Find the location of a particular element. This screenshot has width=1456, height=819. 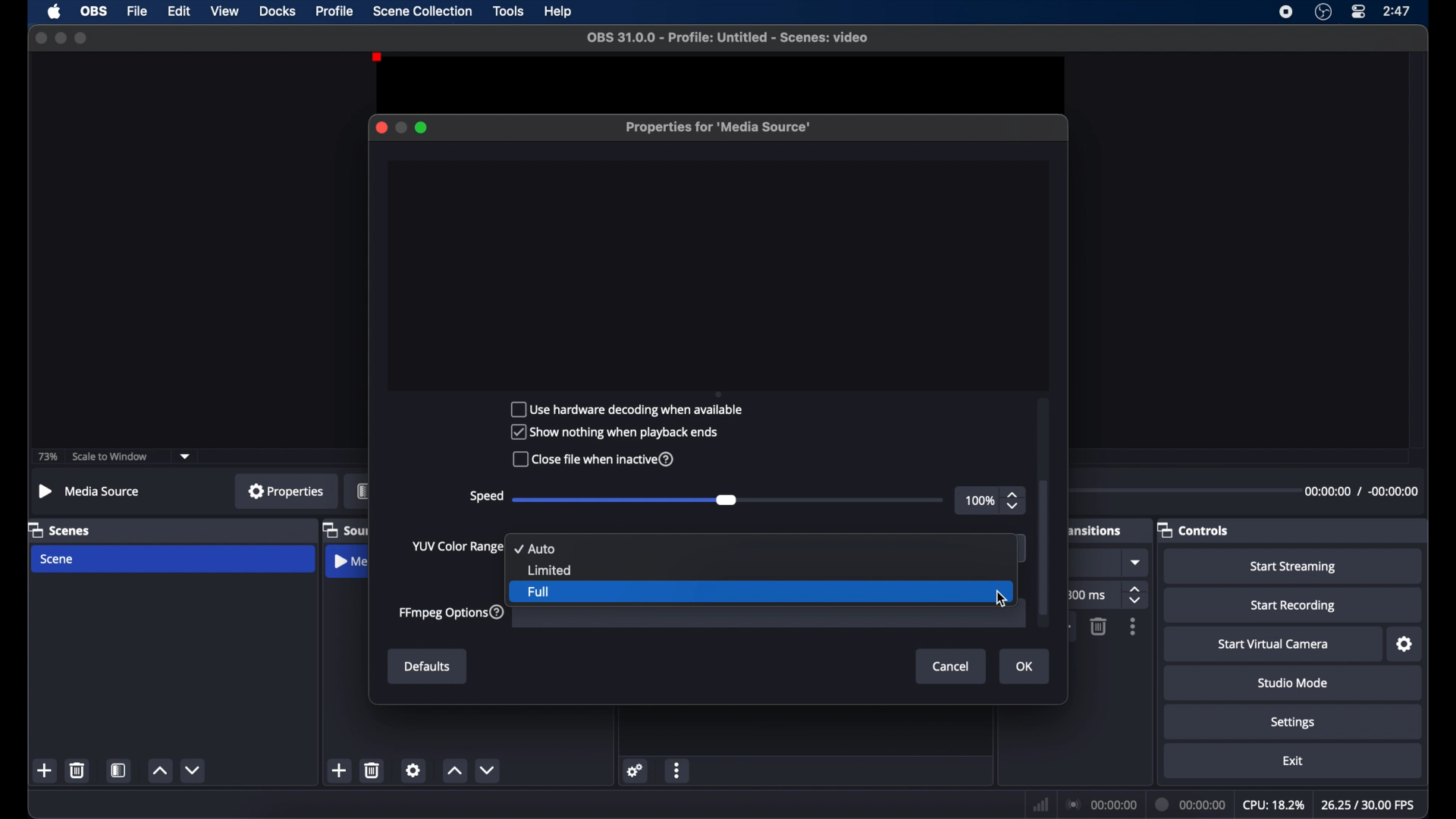

decrement button is located at coordinates (487, 770).